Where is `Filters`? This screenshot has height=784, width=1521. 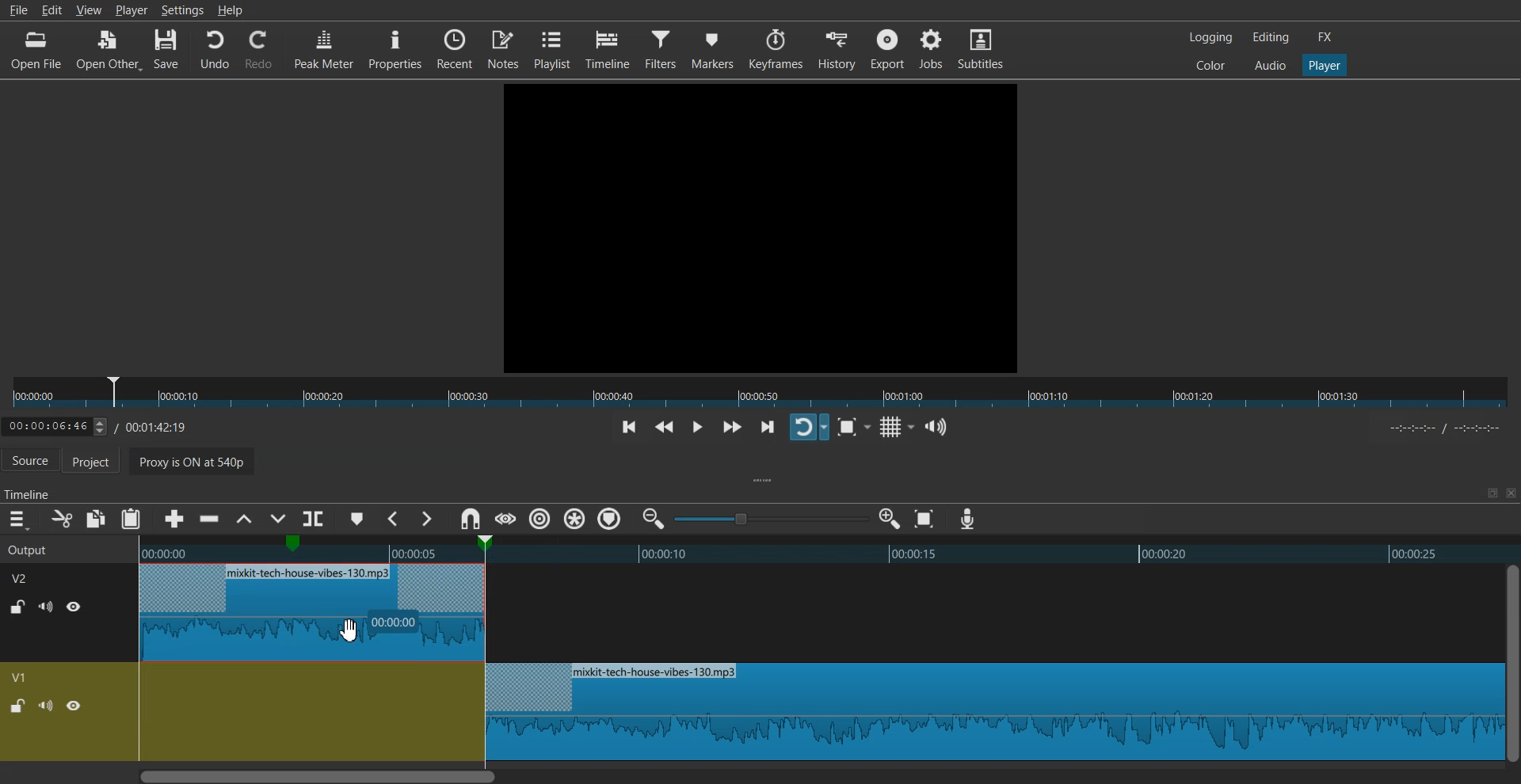
Filters is located at coordinates (663, 48).